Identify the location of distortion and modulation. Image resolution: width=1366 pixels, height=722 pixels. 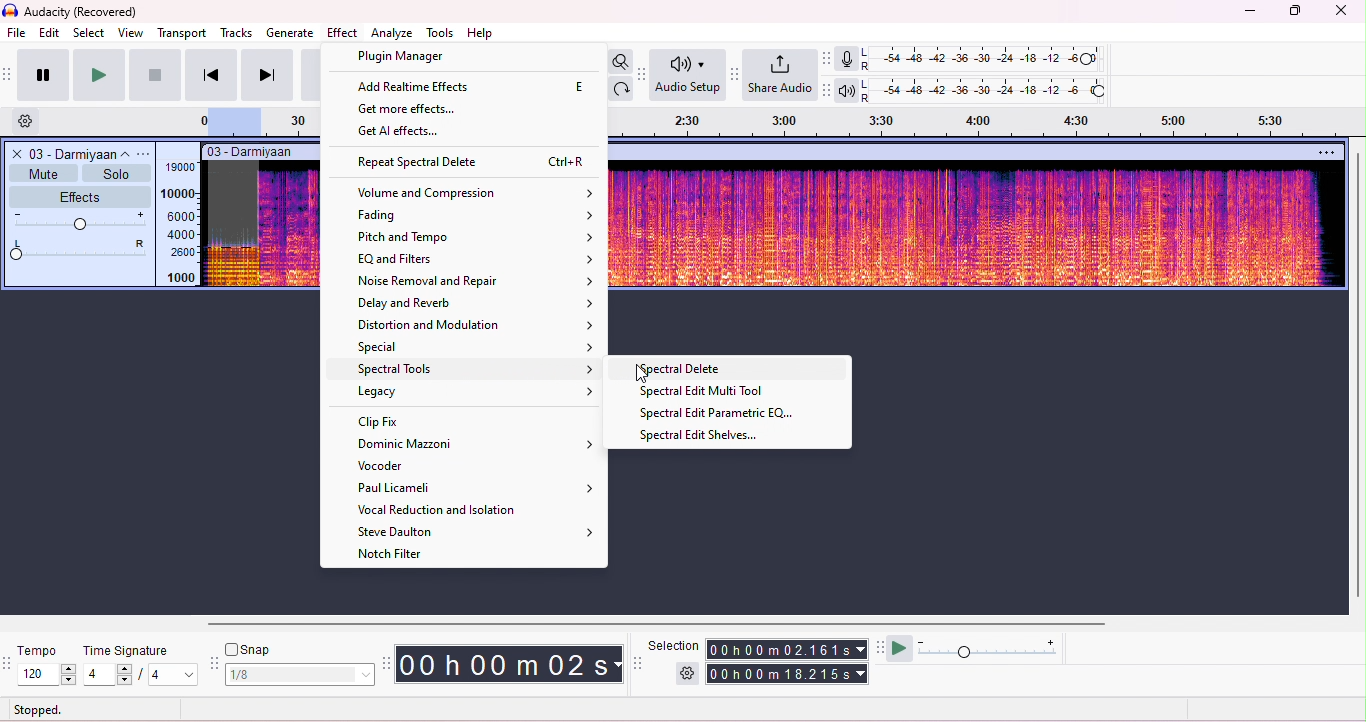
(474, 325).